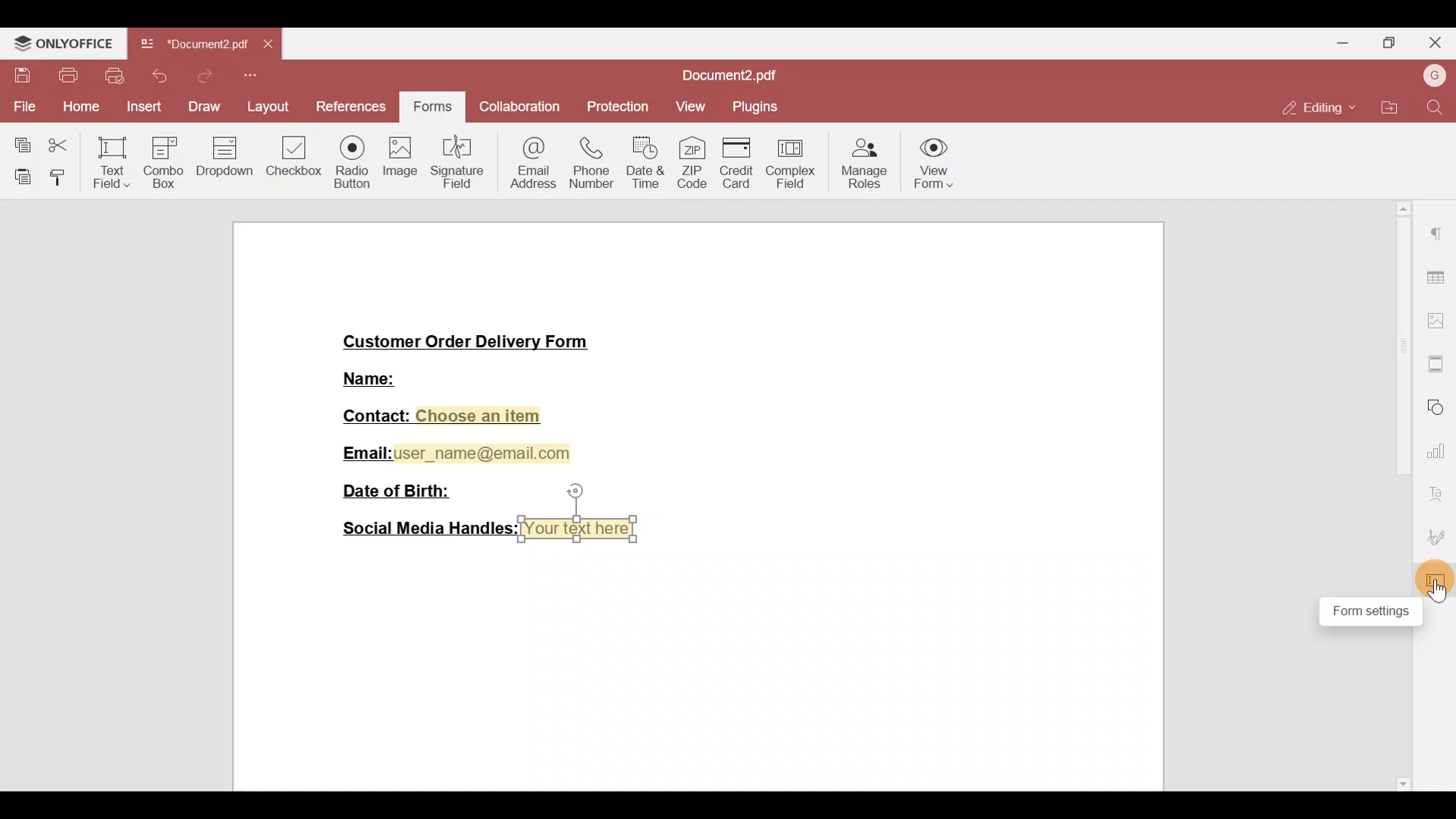 Image resolution: width=1456 pixels, height=819 pixels. Describe the element at coordinates (645, 162) in the screenshot. I see `Date & time` at that location.